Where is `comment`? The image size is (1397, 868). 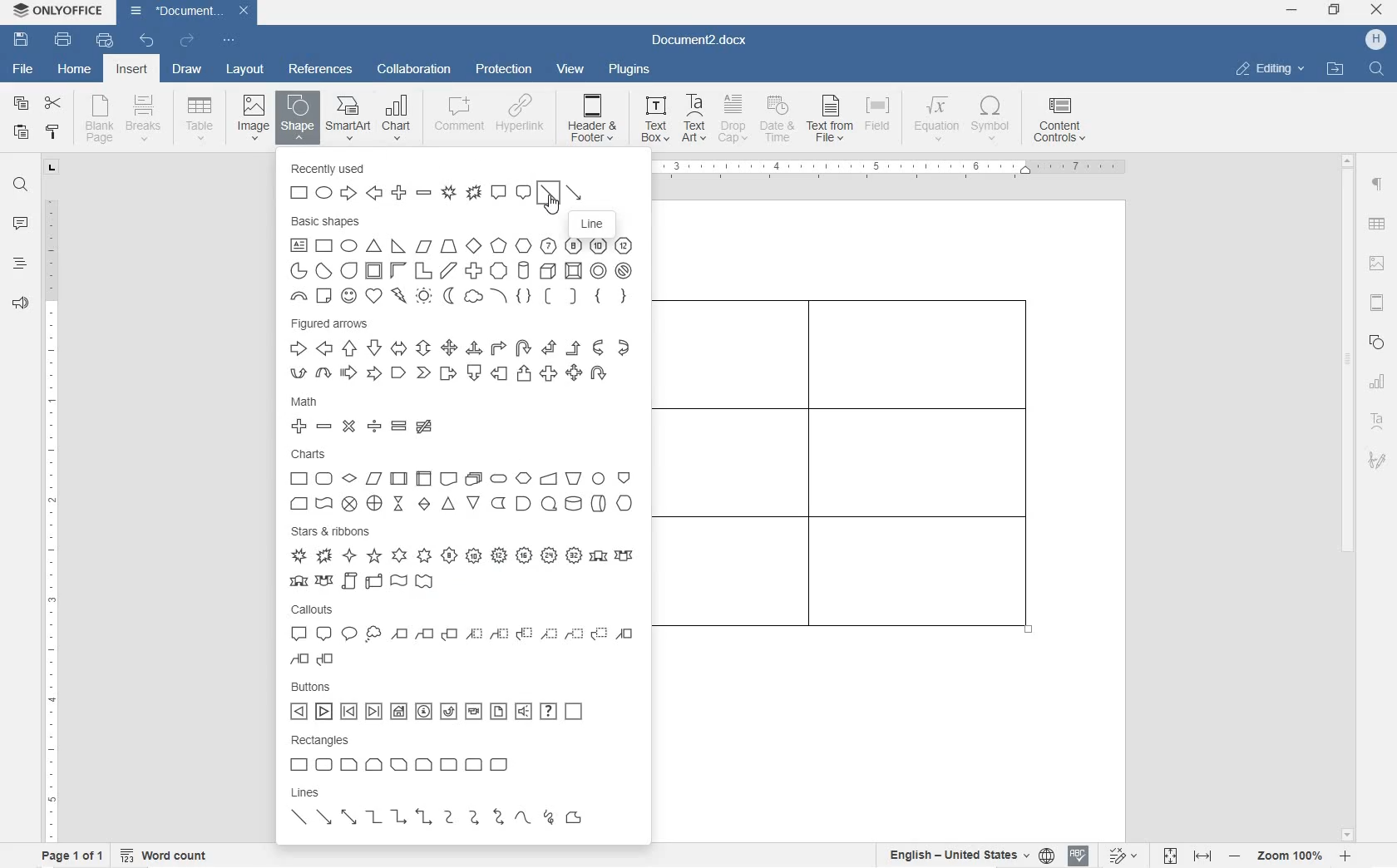
comment is located at coordinates (21, 224).